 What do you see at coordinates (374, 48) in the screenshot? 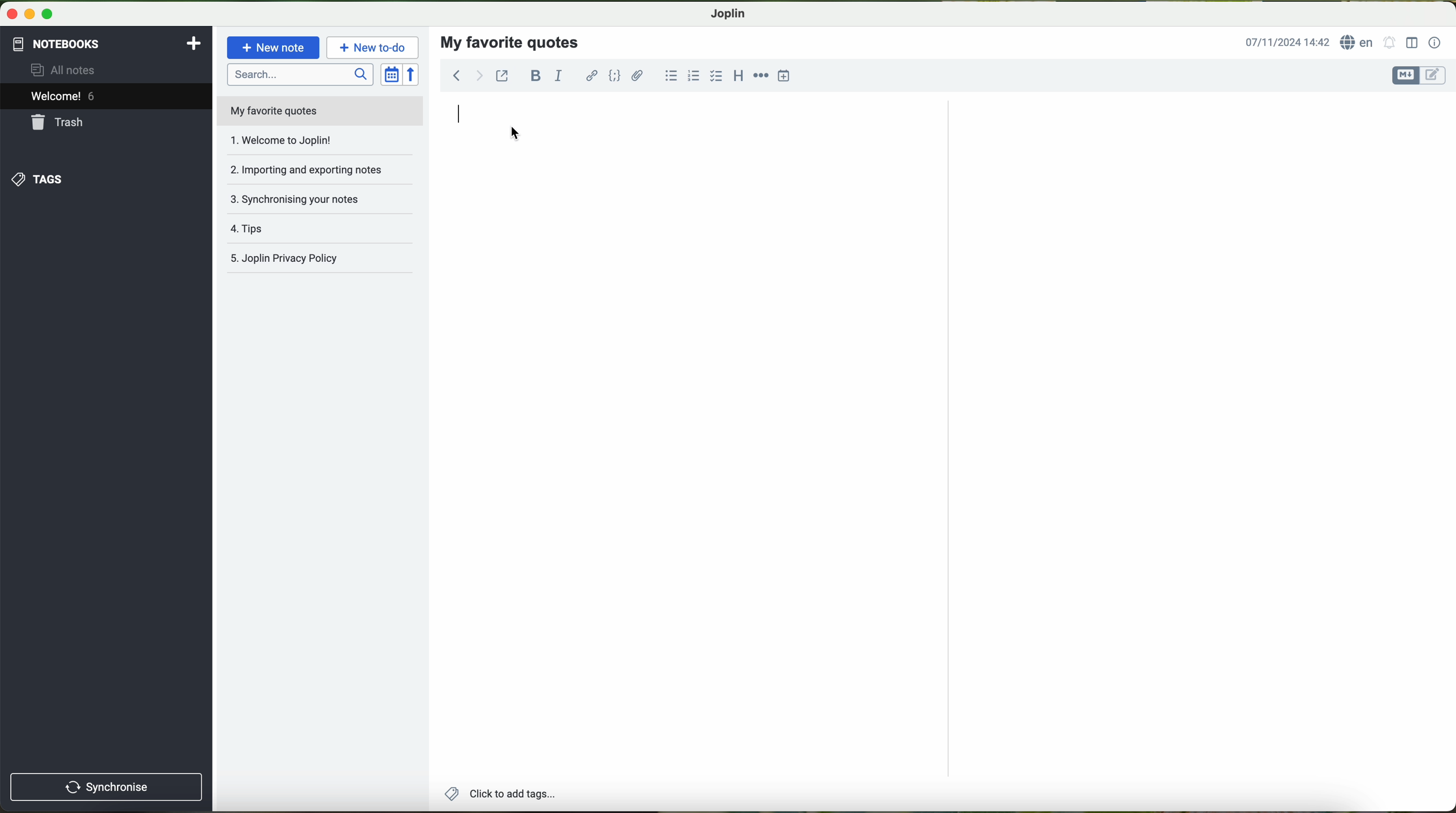
I see `new to-do` at bounding box center [374, 48].